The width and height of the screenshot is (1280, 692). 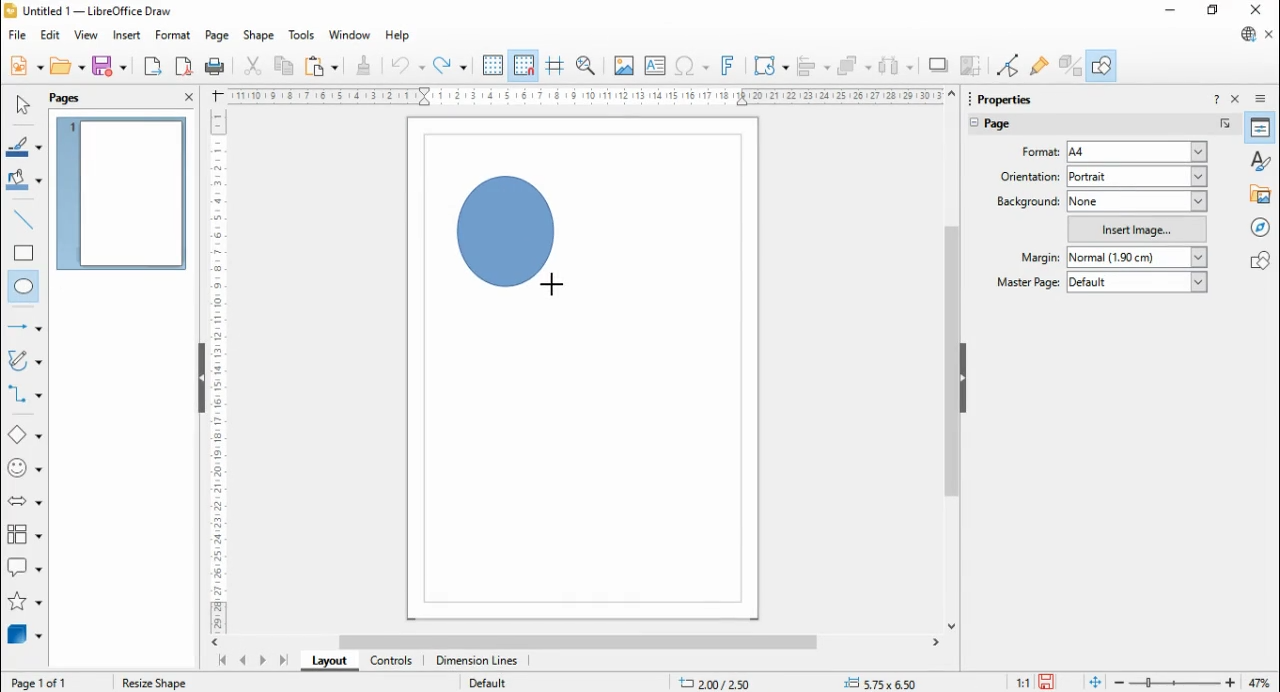 What do you see at coordinates (582, 642) in the screenshot?
I see `scroll bar` at bounding box center [582, 642].